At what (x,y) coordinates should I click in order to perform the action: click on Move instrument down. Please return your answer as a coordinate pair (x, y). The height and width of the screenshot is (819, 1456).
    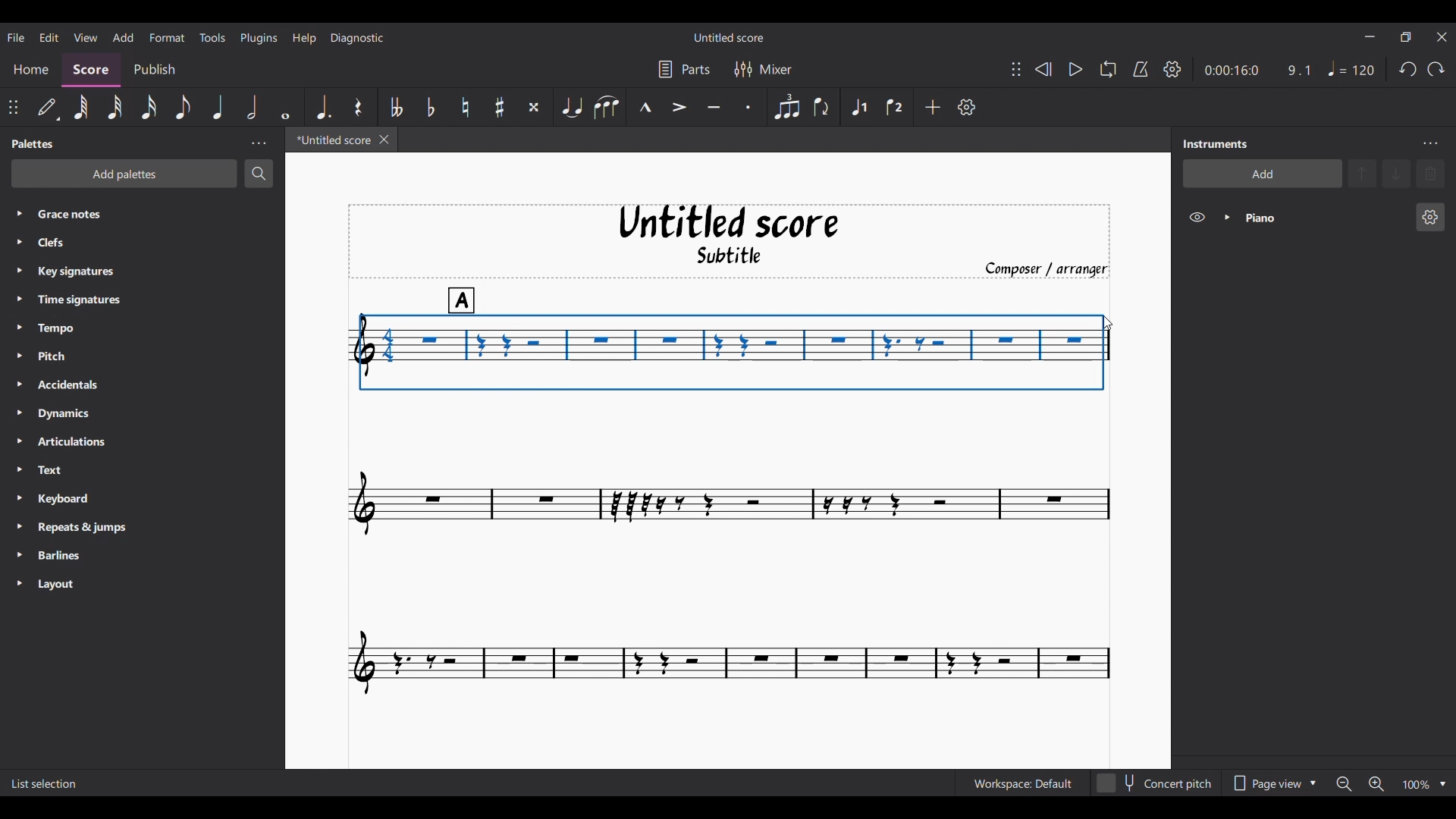
    Looking at the image, I should click on (1396, 173).